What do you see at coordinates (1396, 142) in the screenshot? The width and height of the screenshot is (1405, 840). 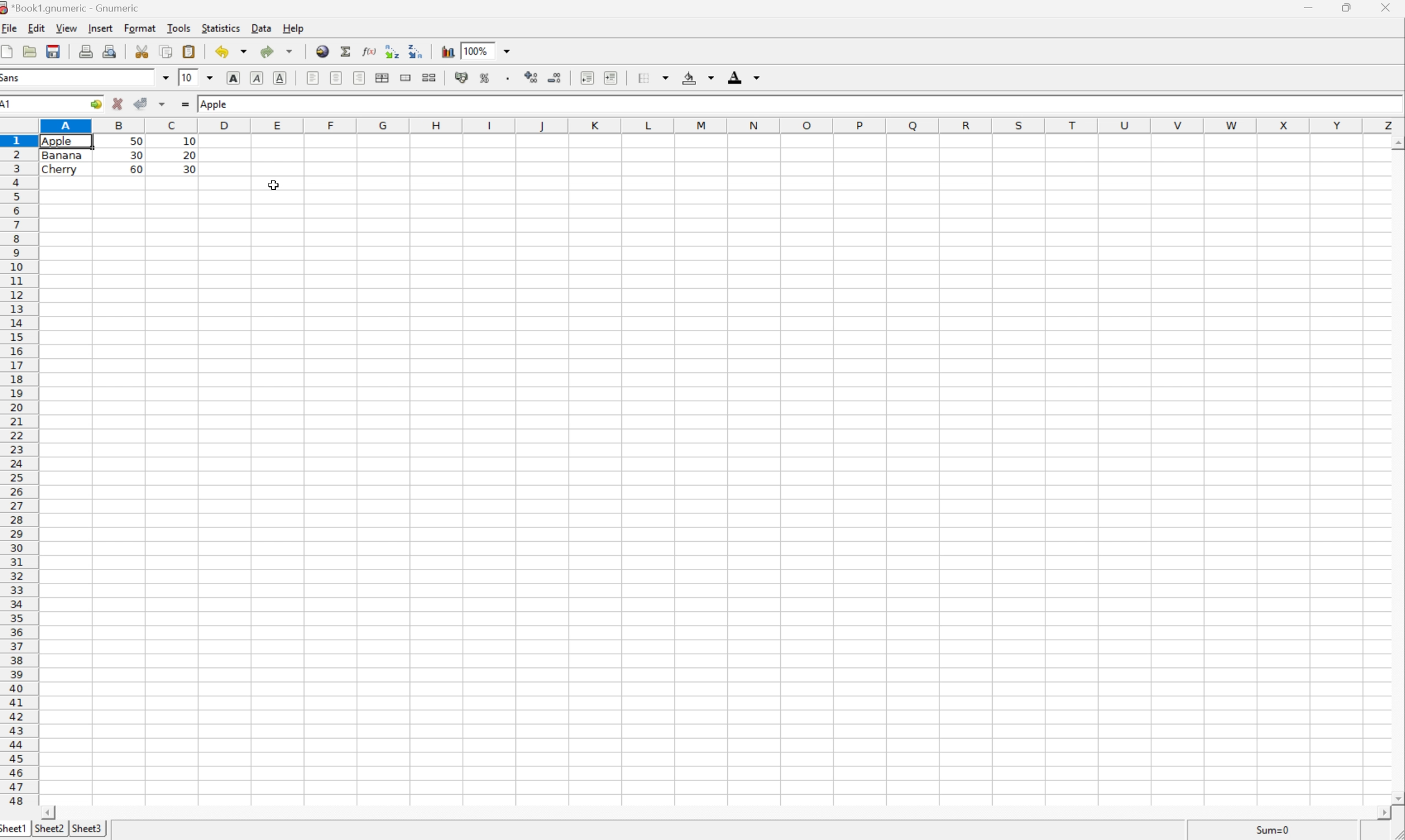 I see `scroll up` at bounding box center [1396, 142].